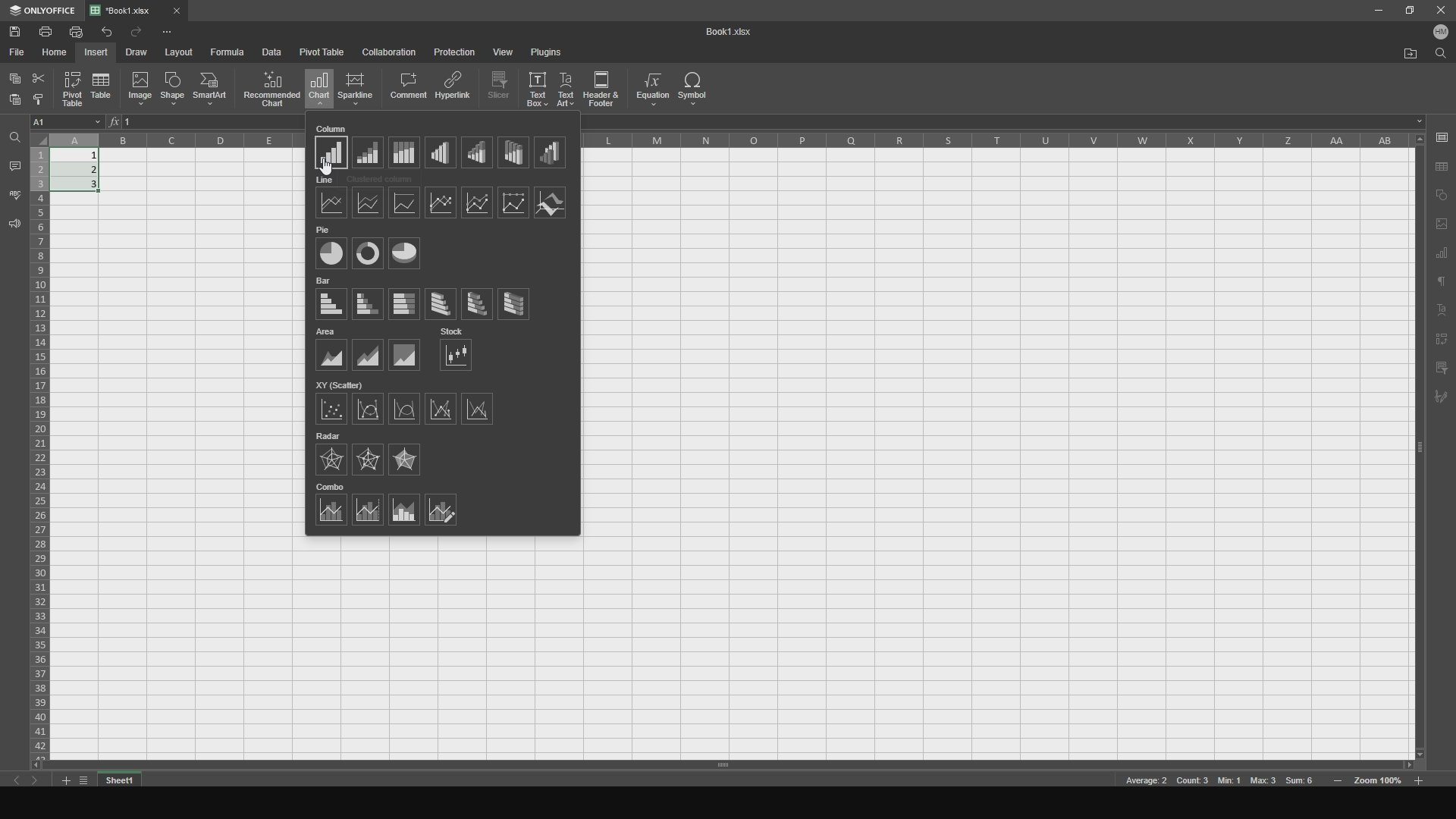 The height and width of the screenshot is (819, 1456). What do you see at coordinates (229, 52) in the screenshot?
I see `formula` at bounding box center [229, 52].